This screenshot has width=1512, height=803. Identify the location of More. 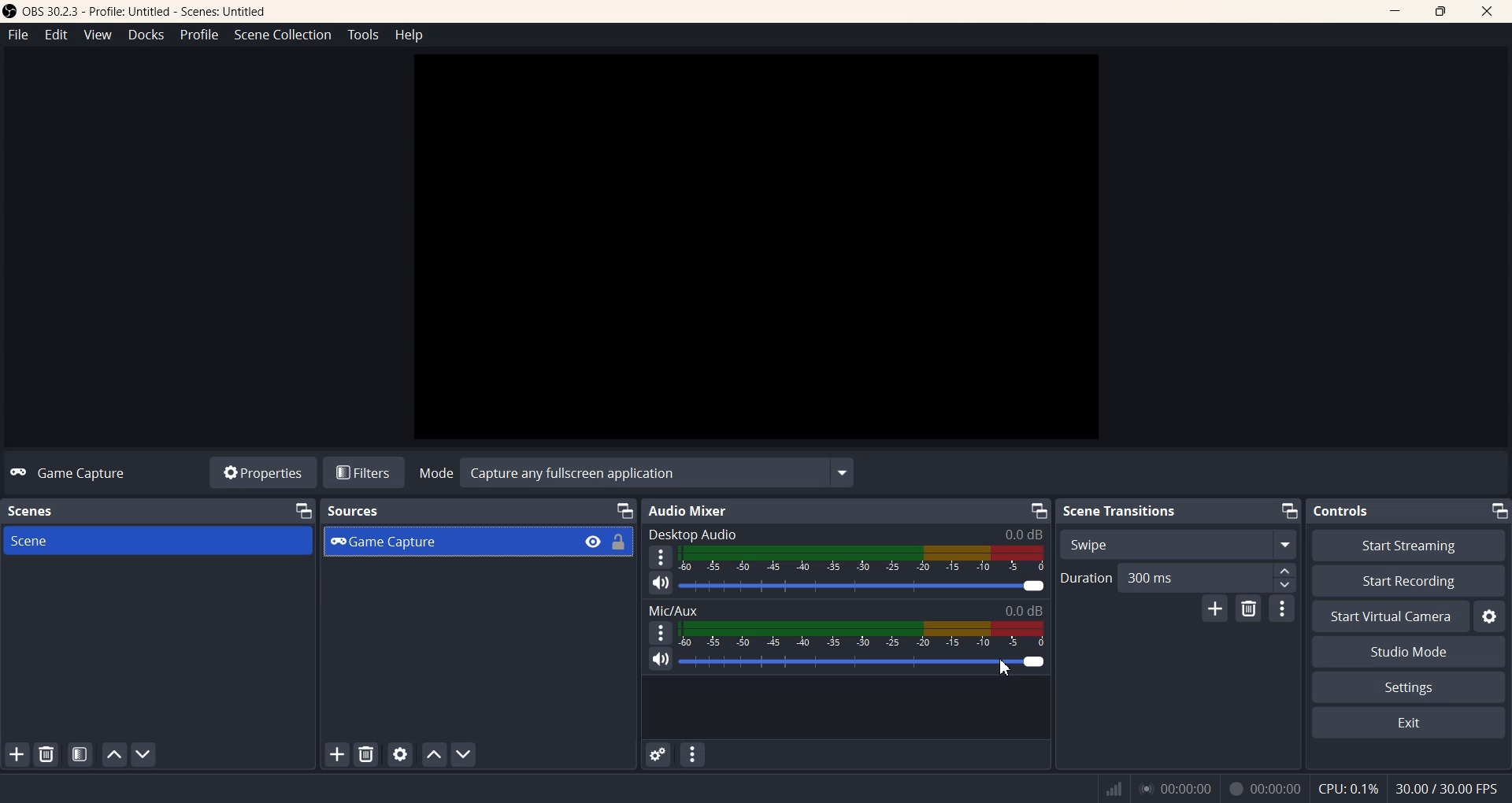
(661, 632).